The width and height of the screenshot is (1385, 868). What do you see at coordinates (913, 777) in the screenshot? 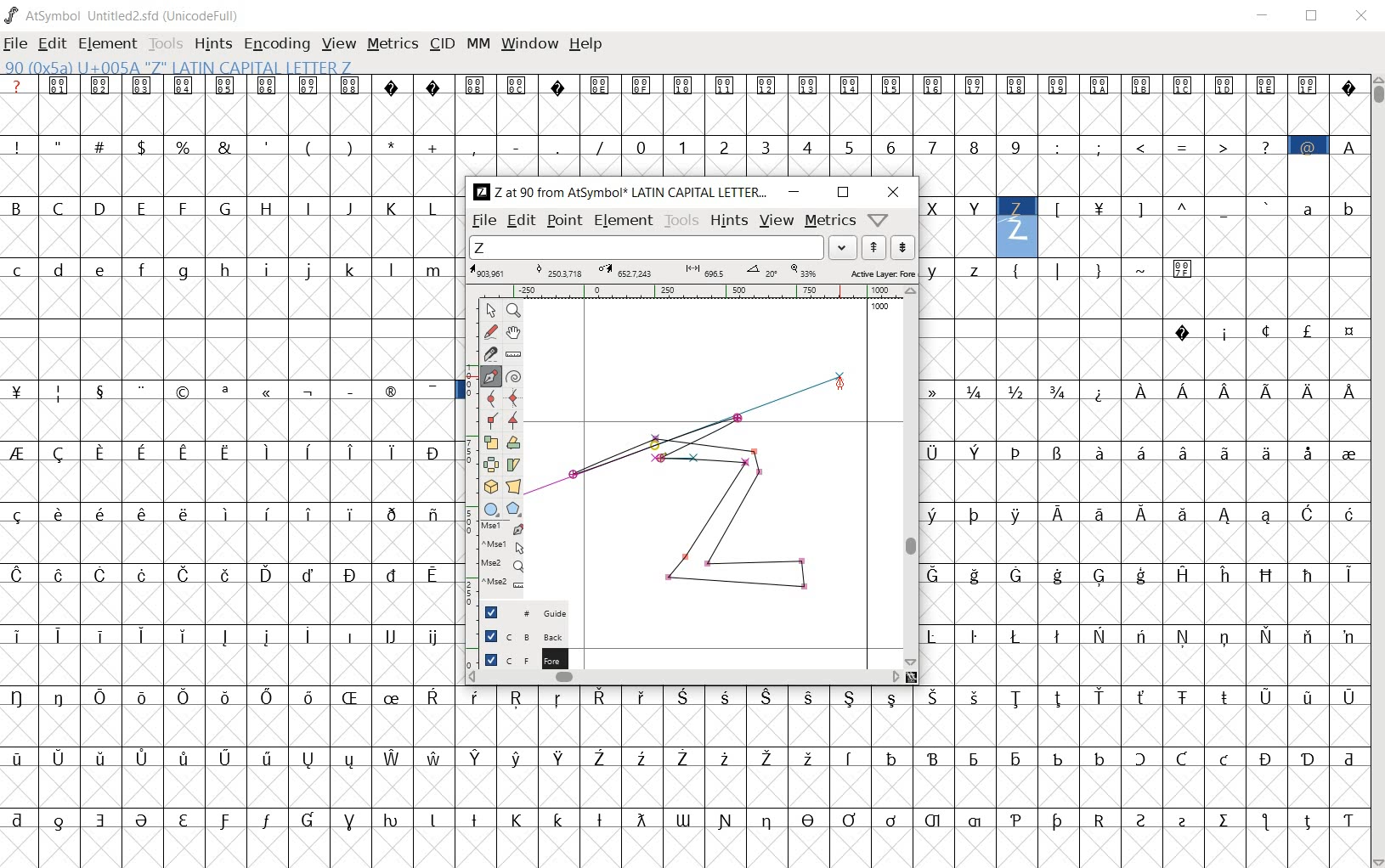
I see `glyph characters` at bounding box center [913, 777].